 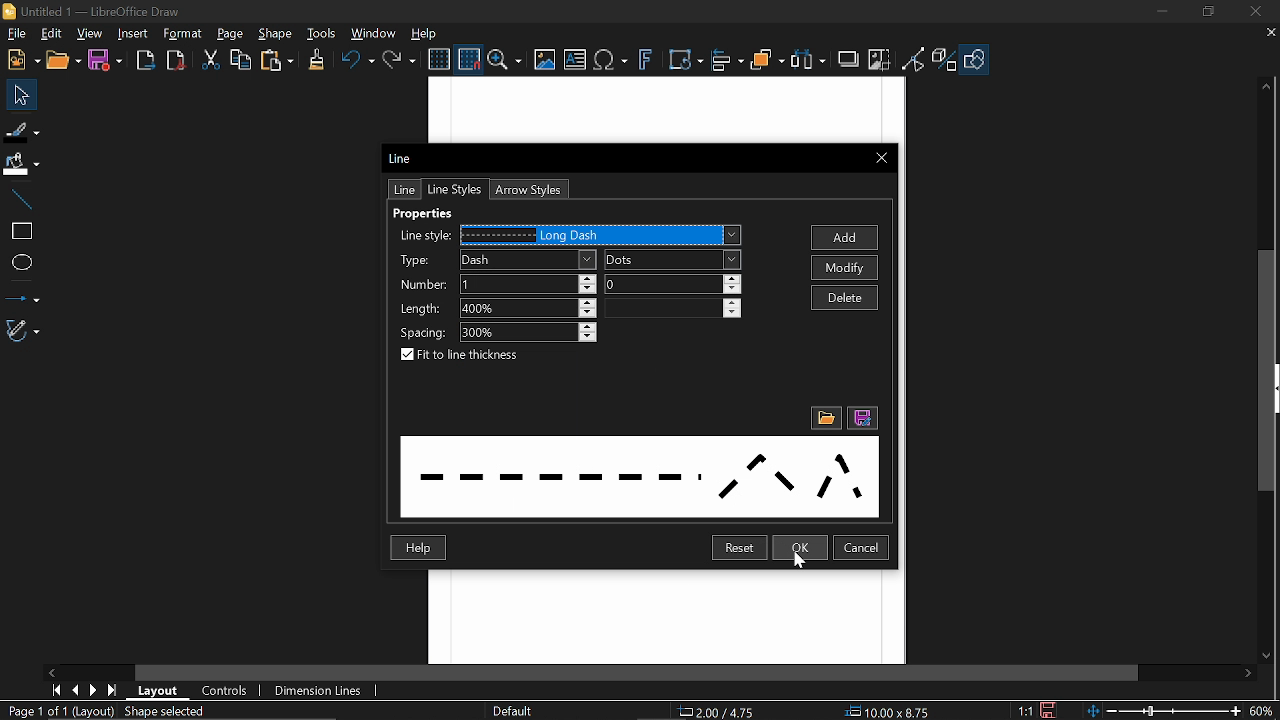 What do you see at coordinates (1164, 12) in the screenshot?
I see `Minimize` at bounding box center [1164, 12].